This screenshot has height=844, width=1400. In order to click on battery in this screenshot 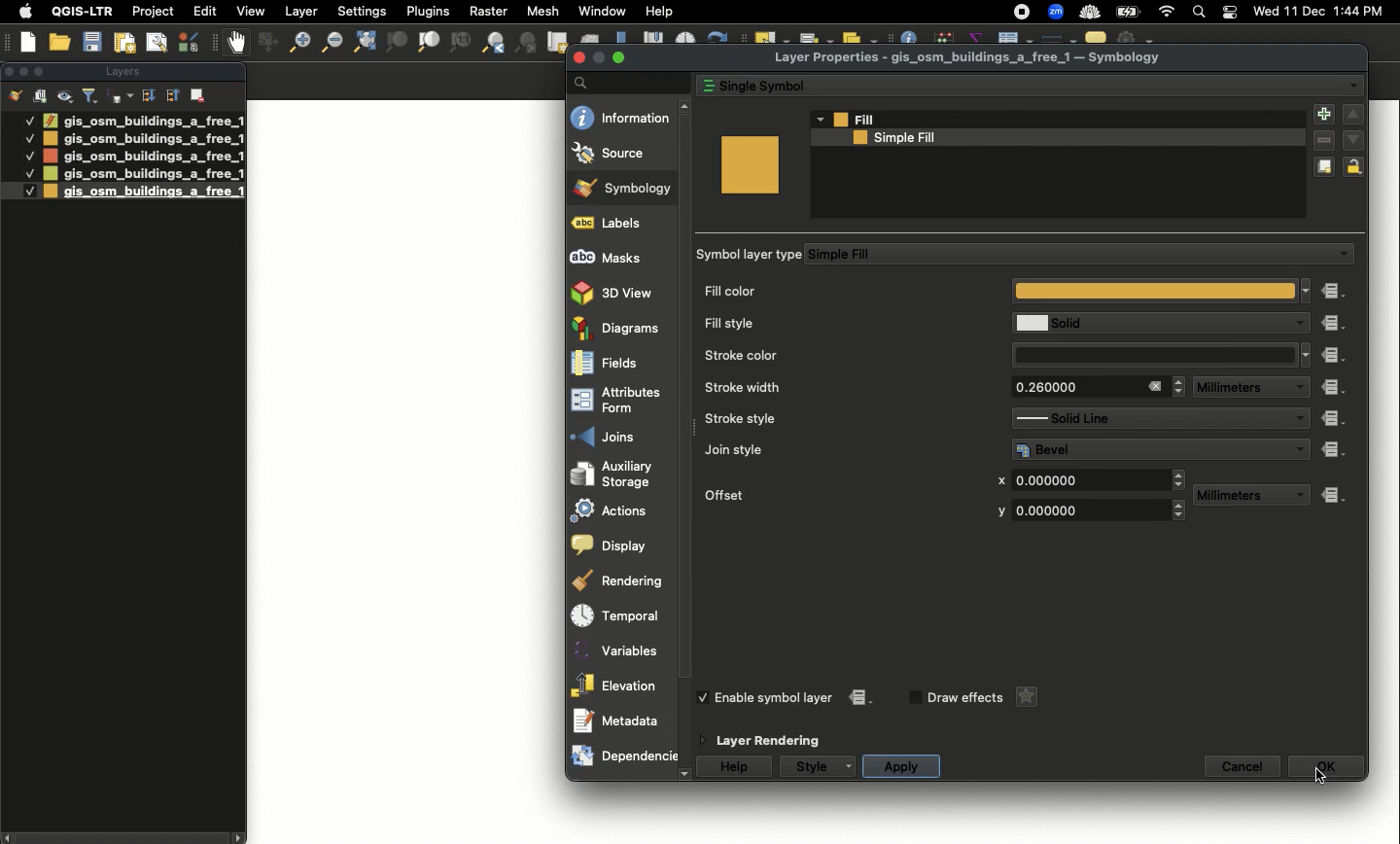, I will do `click(1132, 11)`.